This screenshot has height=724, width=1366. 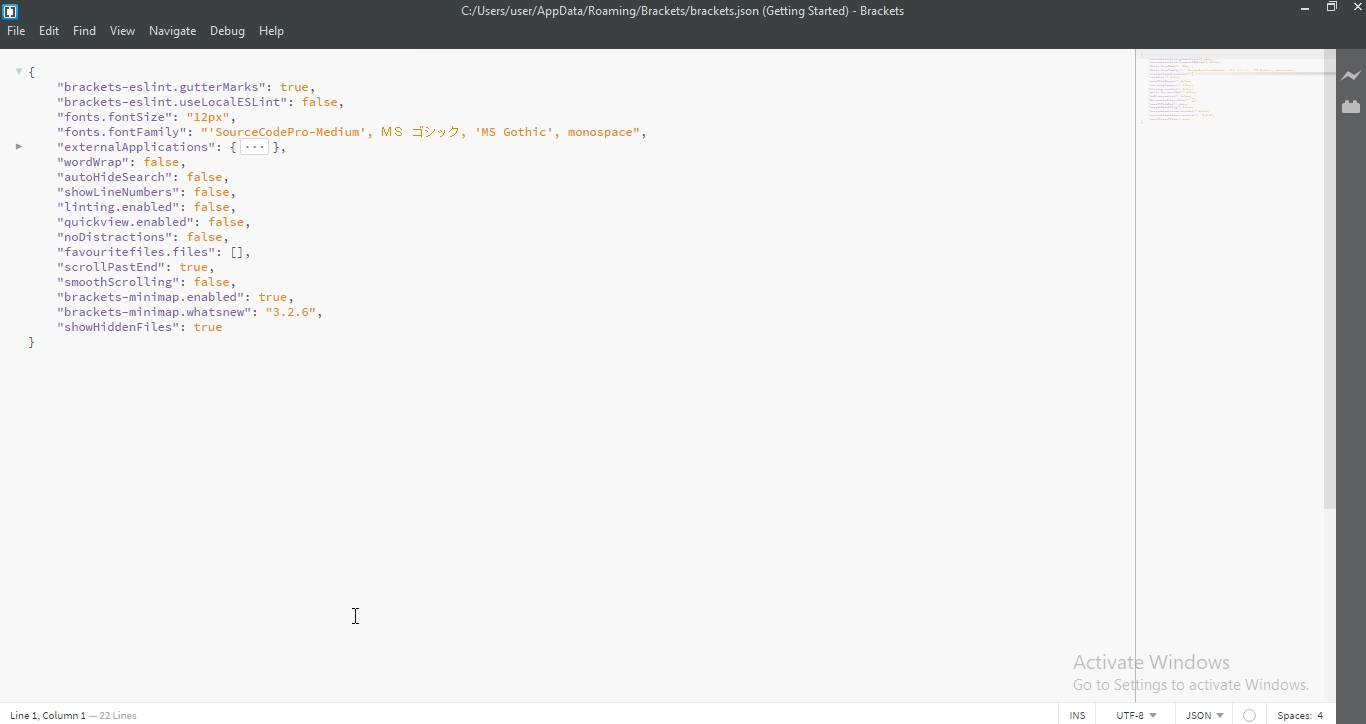 What do you see at coordinates (228, 34) in the screenshot?
I see `Debug` at bounding box center [228, 34].